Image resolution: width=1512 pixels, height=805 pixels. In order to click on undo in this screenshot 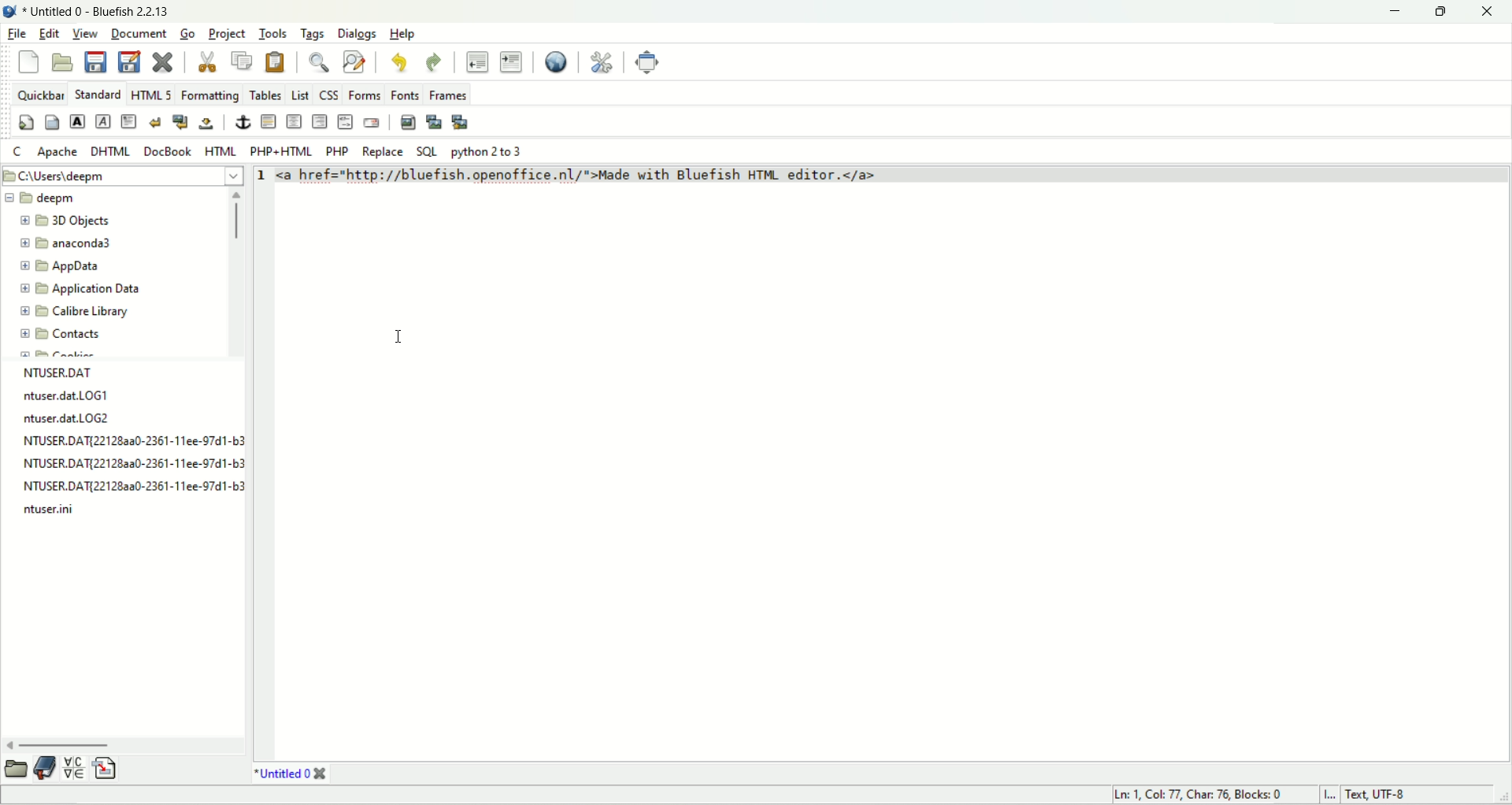, I will do `click(399, 63)`.